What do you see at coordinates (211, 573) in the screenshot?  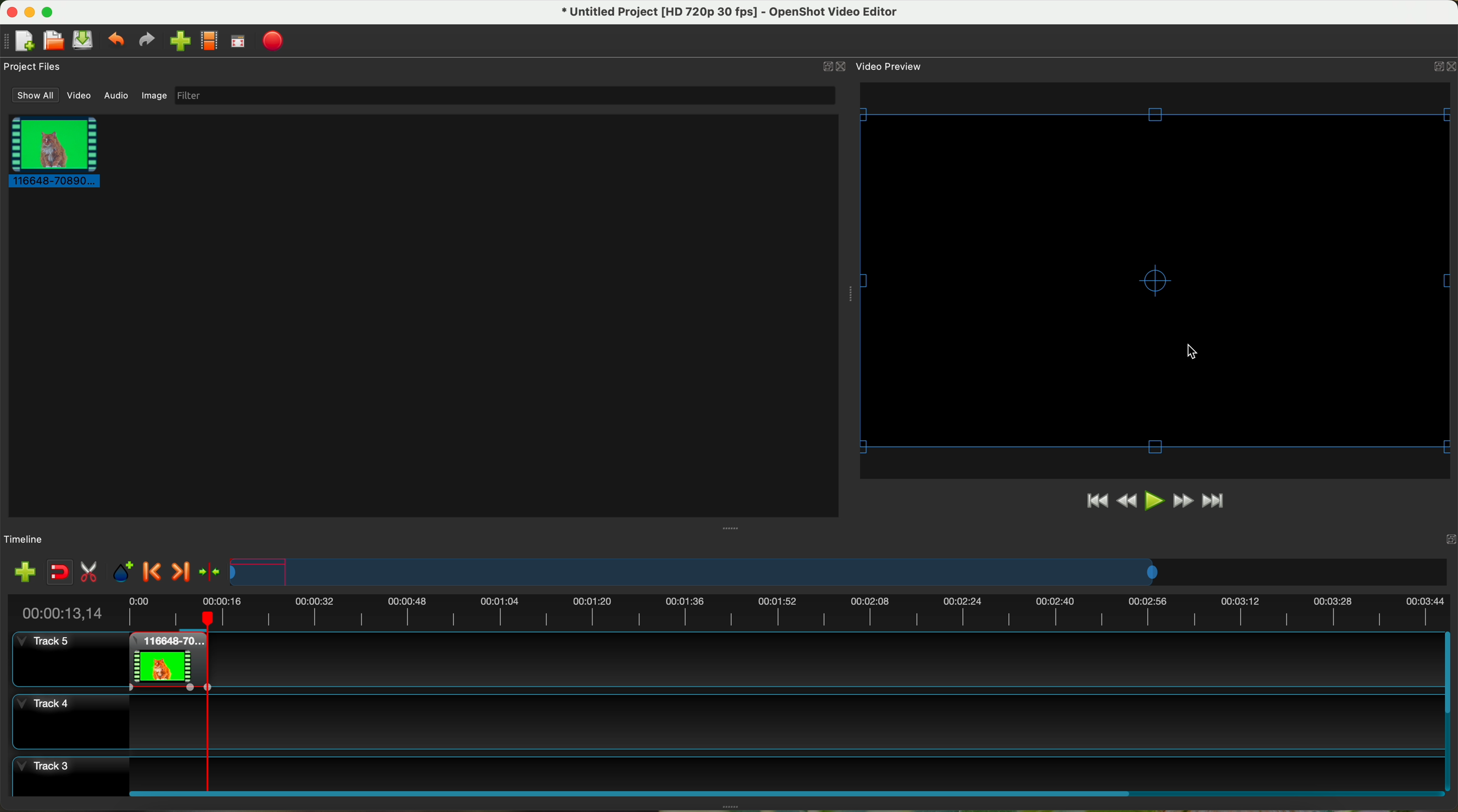 I see `center the timeline on the playhead` at bounding box center [211, 573].